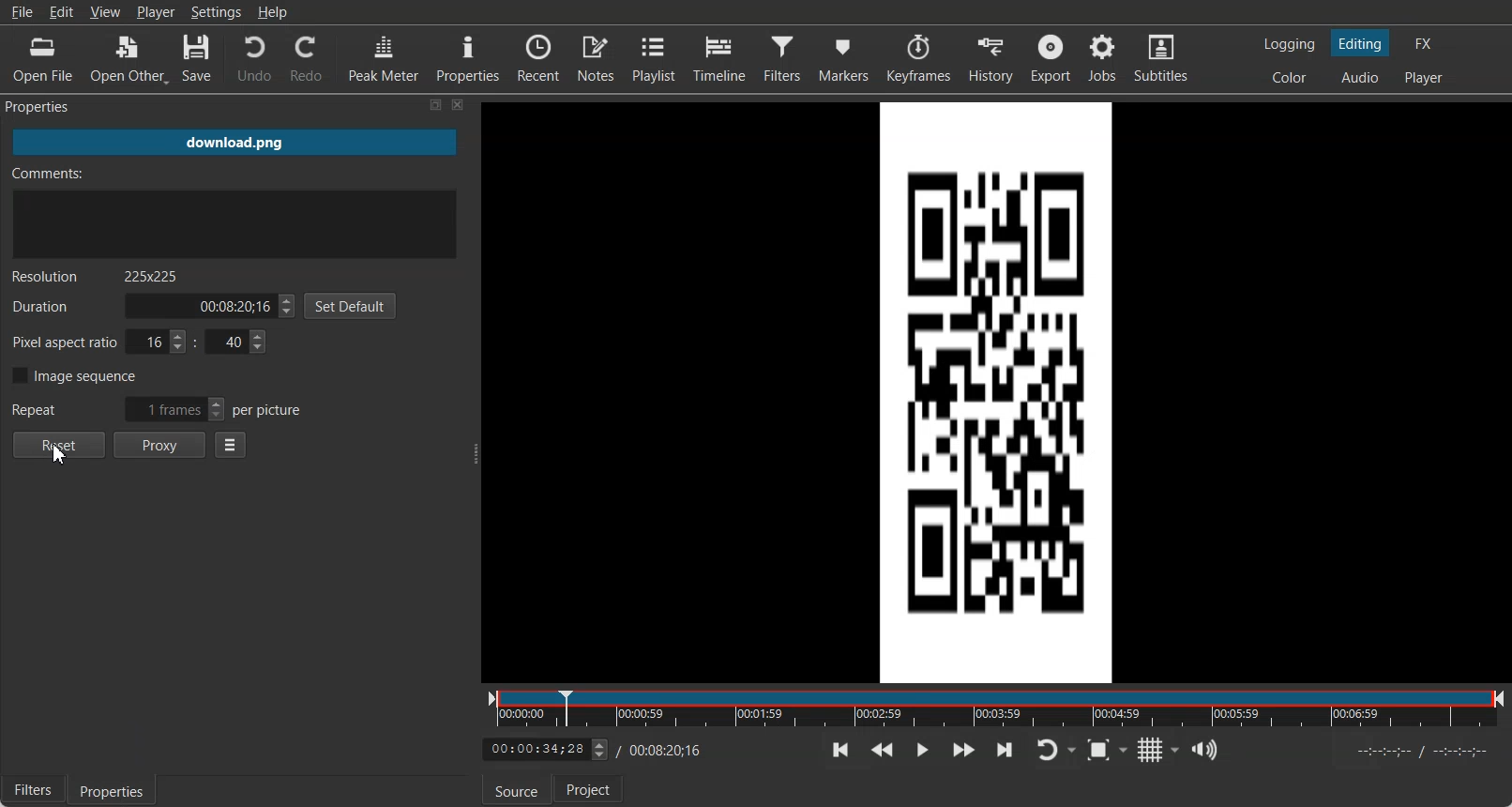  What do you see at coordinates (113, 790) in the screenshot?
I see `Properties` at bounding box center [113, 790].